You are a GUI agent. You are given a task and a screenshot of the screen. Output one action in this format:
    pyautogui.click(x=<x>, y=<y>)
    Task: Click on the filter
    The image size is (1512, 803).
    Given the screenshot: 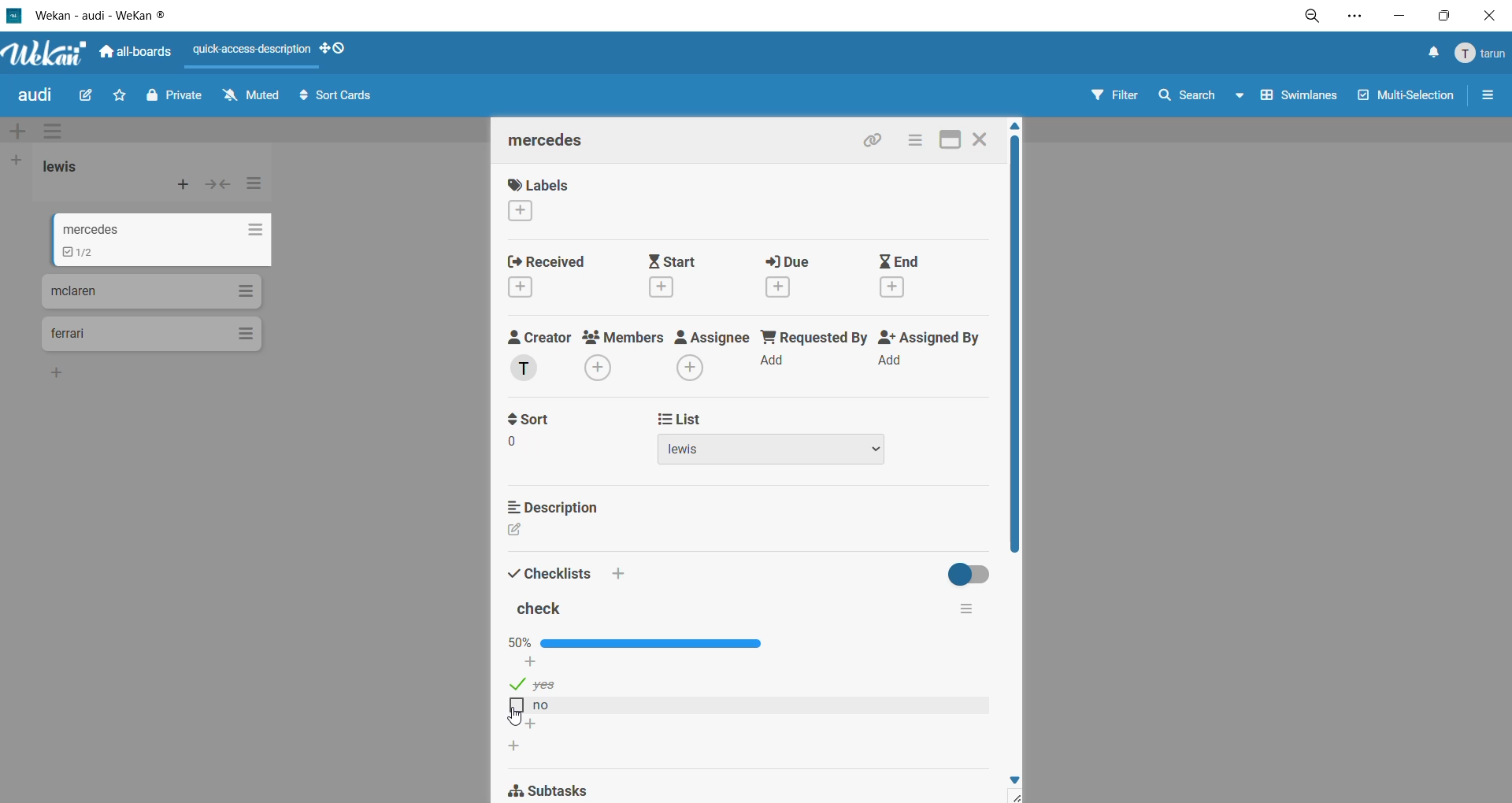 What is the action you would take?
    pyautogui.click(x=1115, y=96)
    